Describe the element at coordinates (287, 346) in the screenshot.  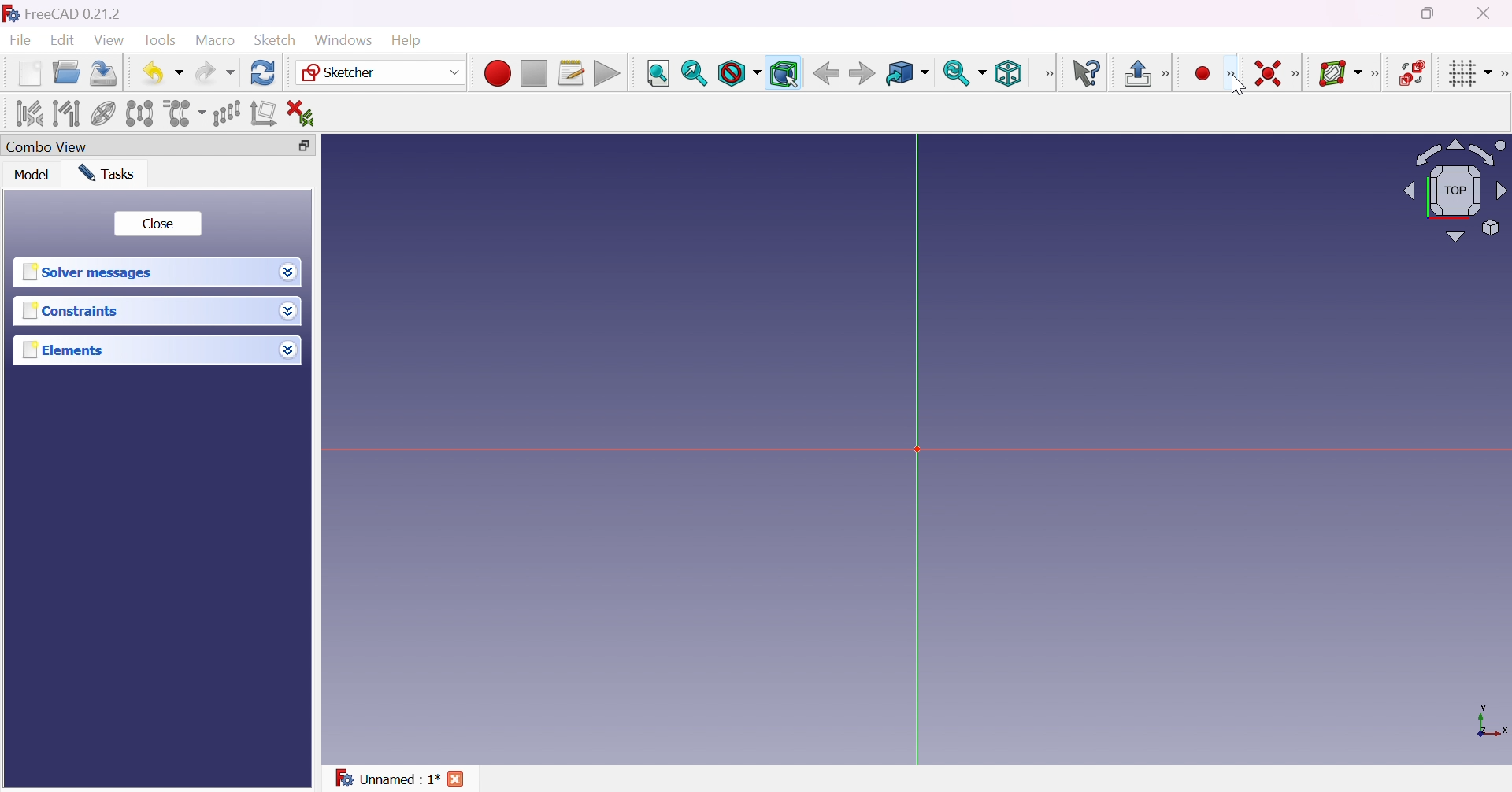
I see `Drop down` at that location.